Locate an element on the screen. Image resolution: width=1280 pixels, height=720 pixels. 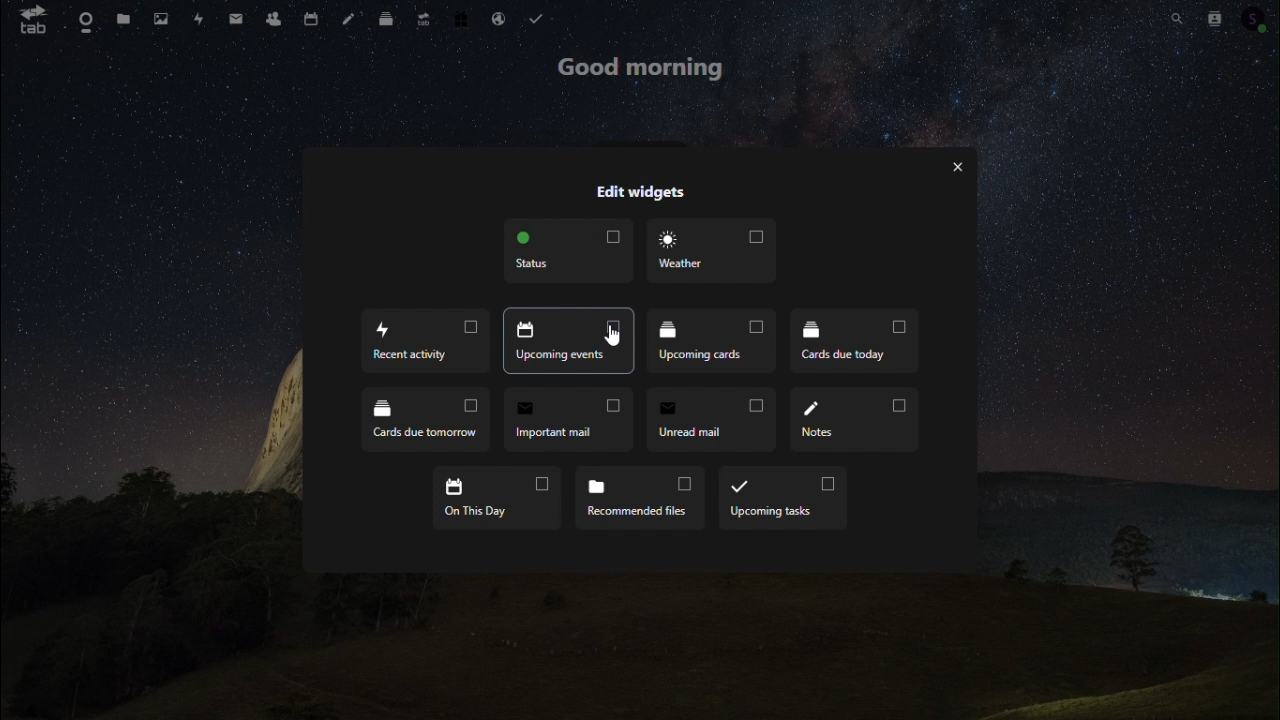
upcoming tasks is located at coordinates (782, 497).